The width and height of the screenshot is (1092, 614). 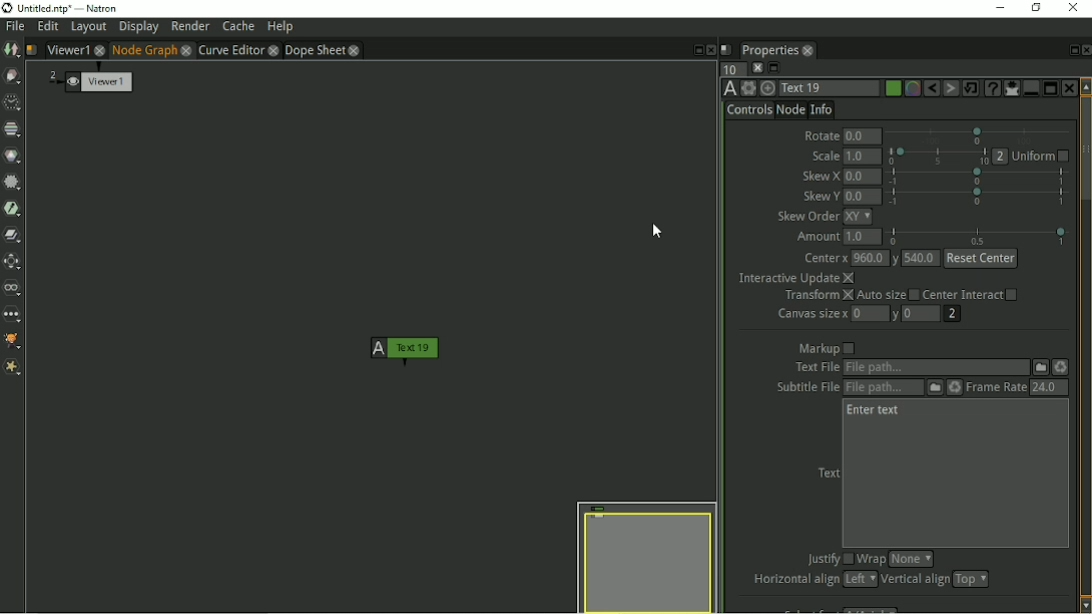 What do you see at coordinates (863, 196) in the screenshot?
I see `0.0` at bounding box center [863, 196].